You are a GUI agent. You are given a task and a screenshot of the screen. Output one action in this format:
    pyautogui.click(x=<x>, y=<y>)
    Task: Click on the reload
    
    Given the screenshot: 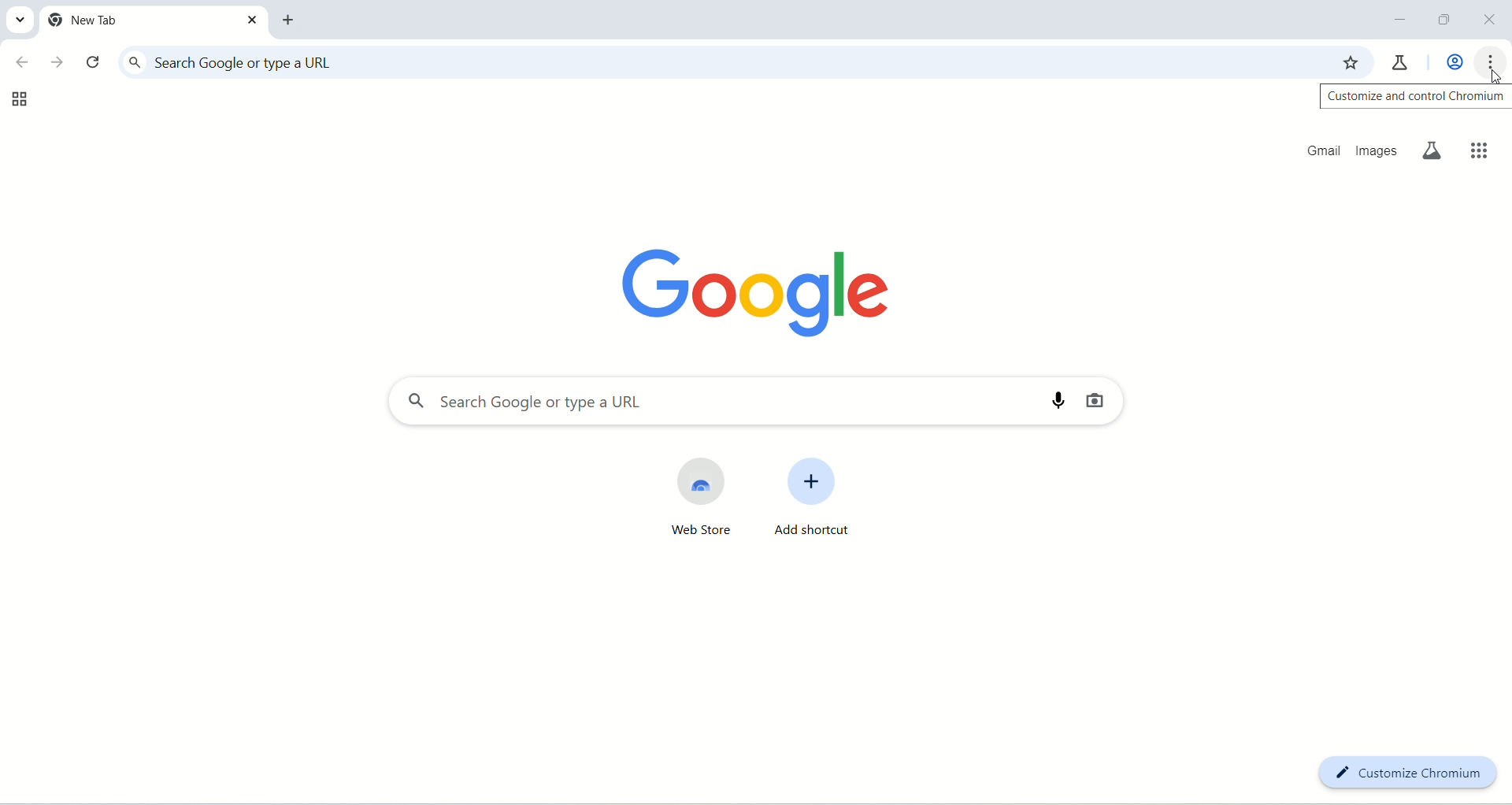 What is the action you would take?
    pyautogui.click(x=93, y=63)
    